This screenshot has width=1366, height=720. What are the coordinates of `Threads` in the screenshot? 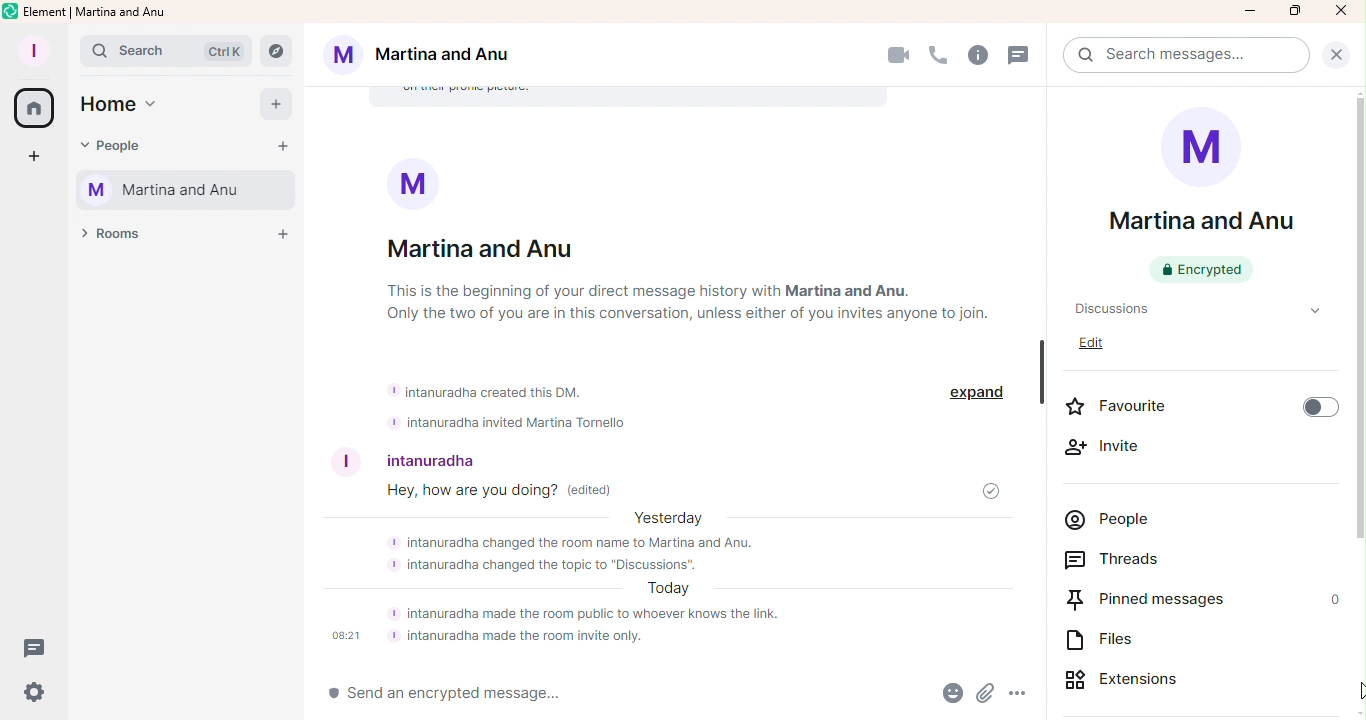 It's located at (1027, 58).